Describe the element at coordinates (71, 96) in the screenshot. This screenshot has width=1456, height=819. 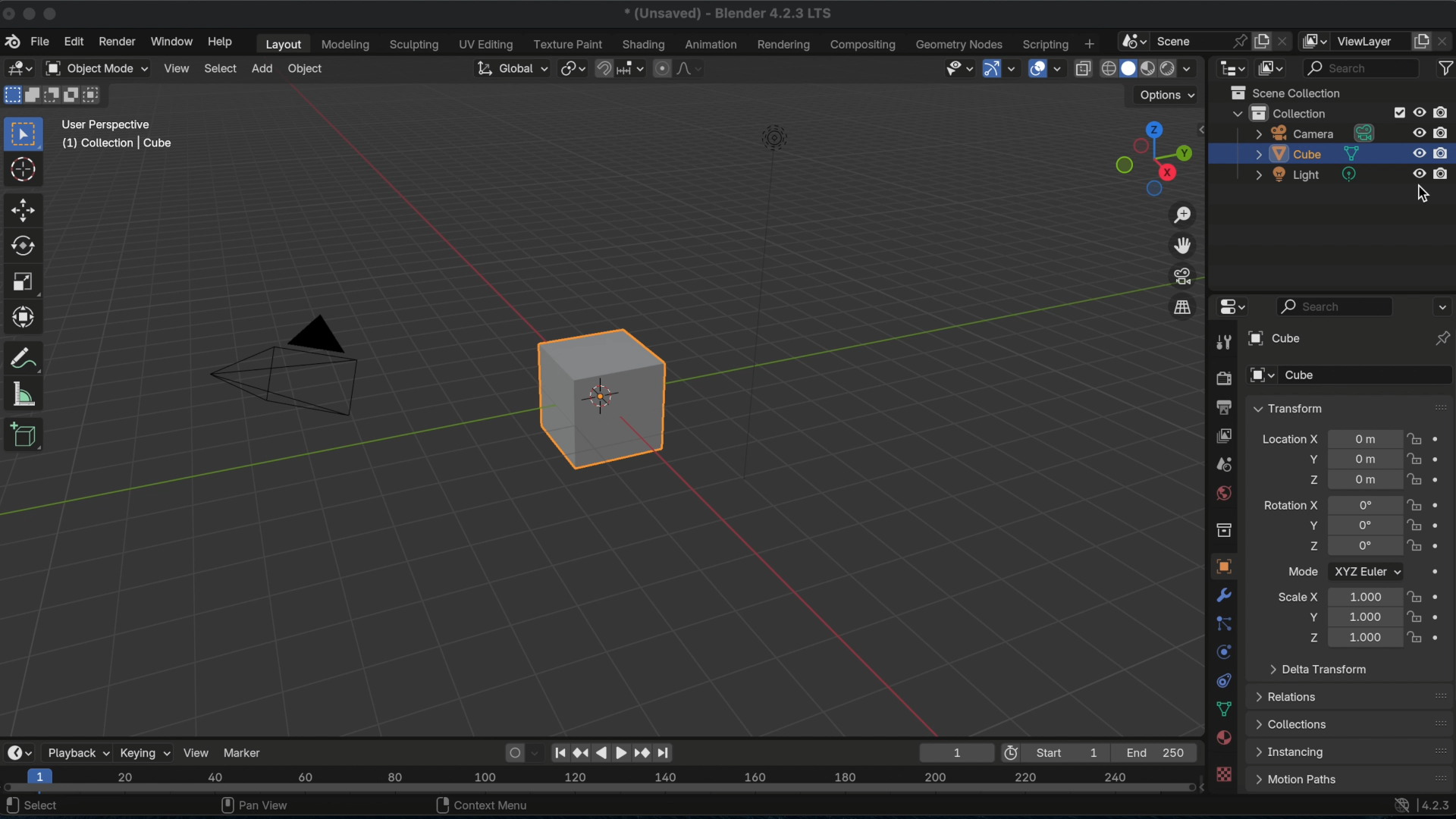
I see `mode invert existing collection` at that location.